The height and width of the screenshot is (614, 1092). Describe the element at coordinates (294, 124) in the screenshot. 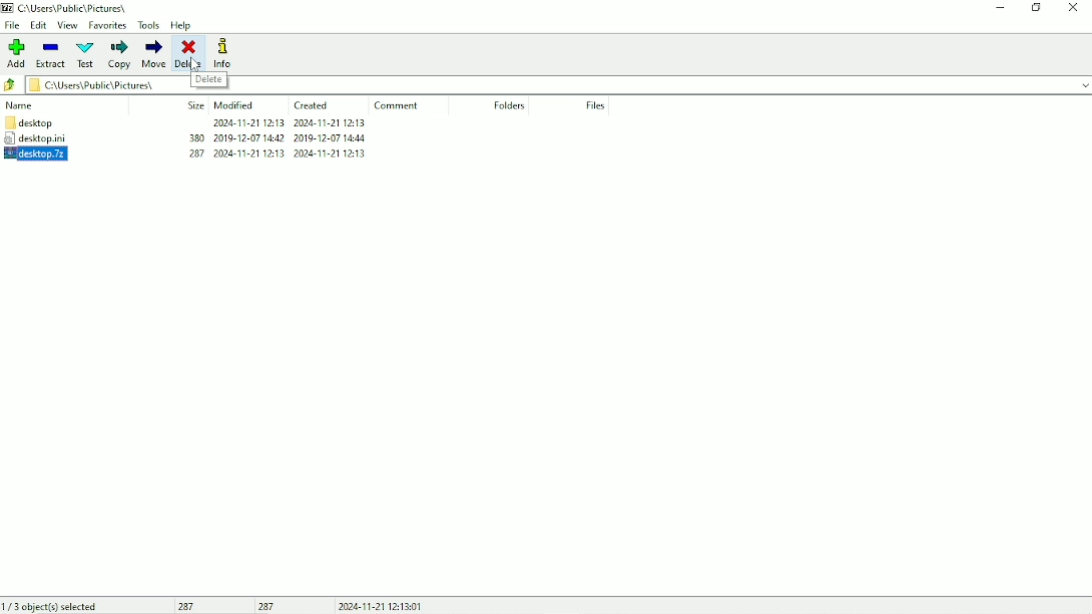

I see `2024-11-21 1213 2004-11-21 1213` at that location.